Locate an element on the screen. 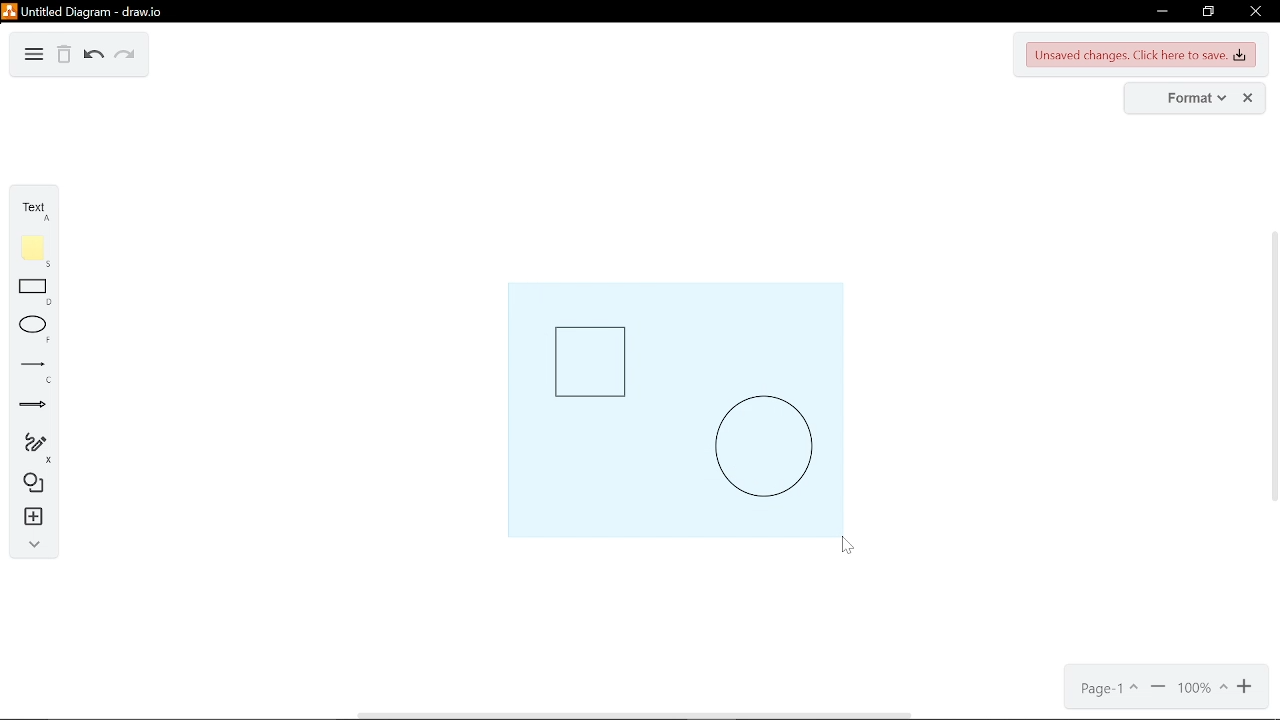 The image size is (1280, 720). current zoom is located at coordinates (1203, 689).